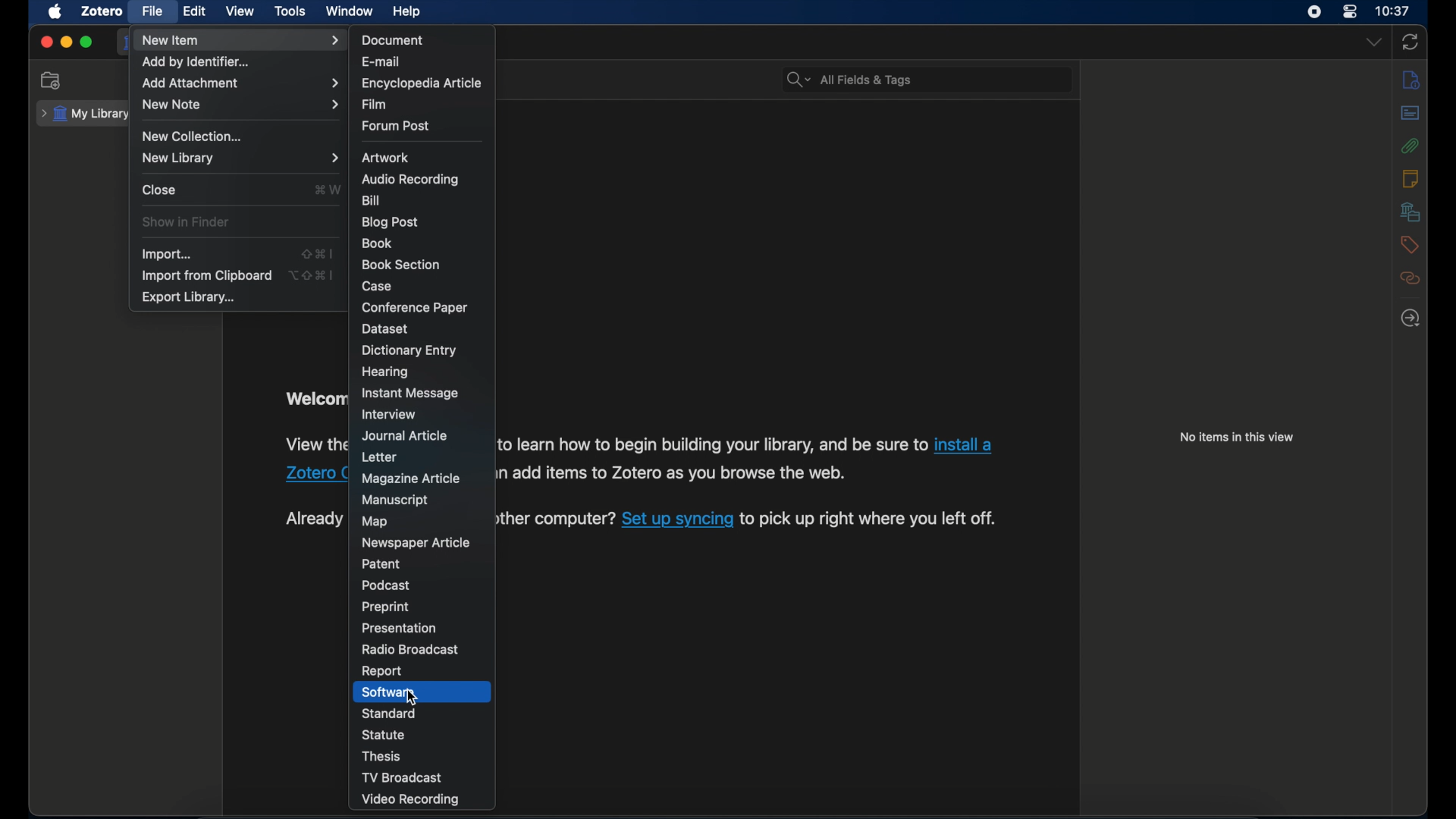 The height and width of the screenshot is (819, 1456). Describe the element at coordinates (1411, 146) in the screenshot. I see `attachments` at that location.